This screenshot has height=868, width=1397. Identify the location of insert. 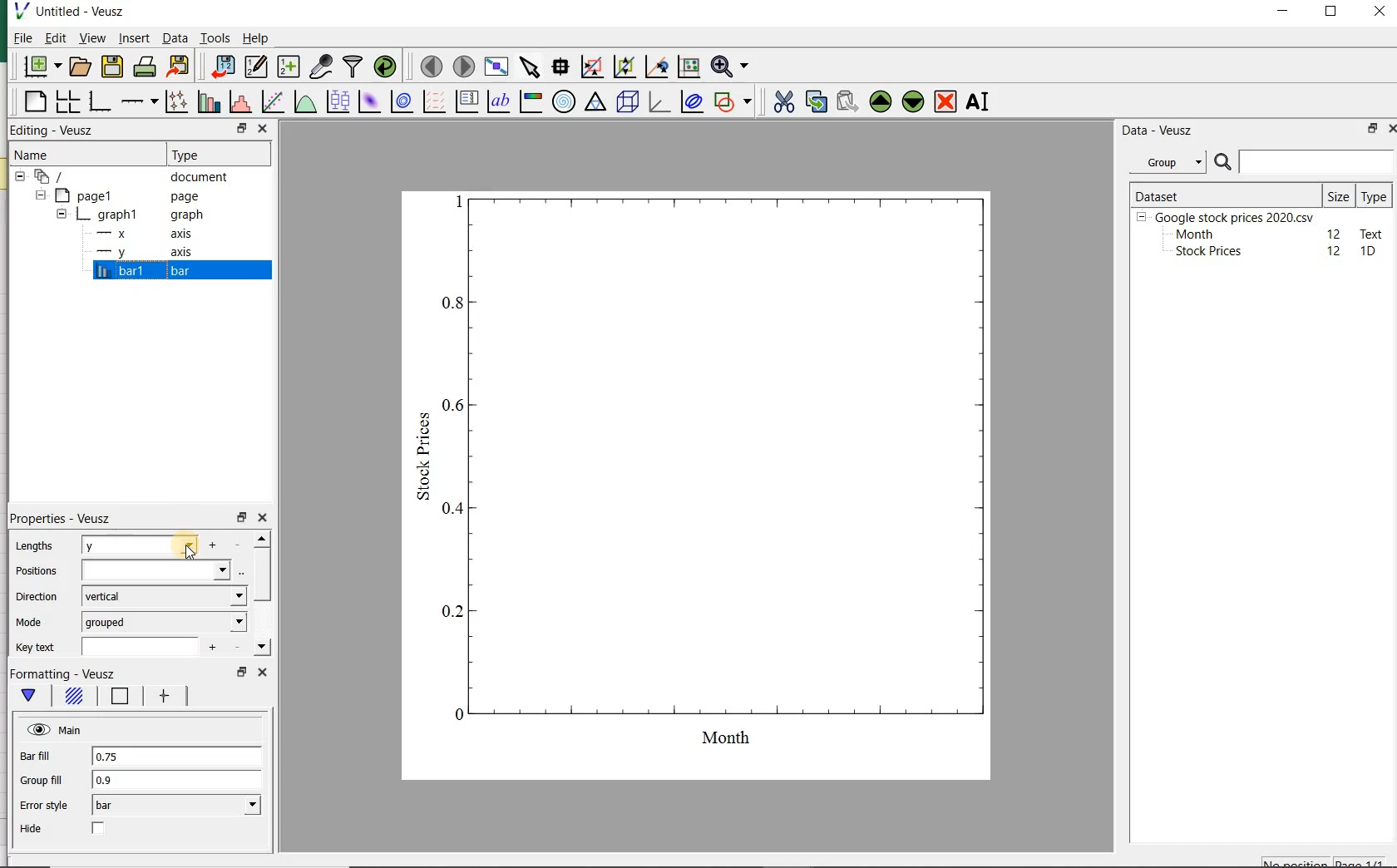
(134, 39).